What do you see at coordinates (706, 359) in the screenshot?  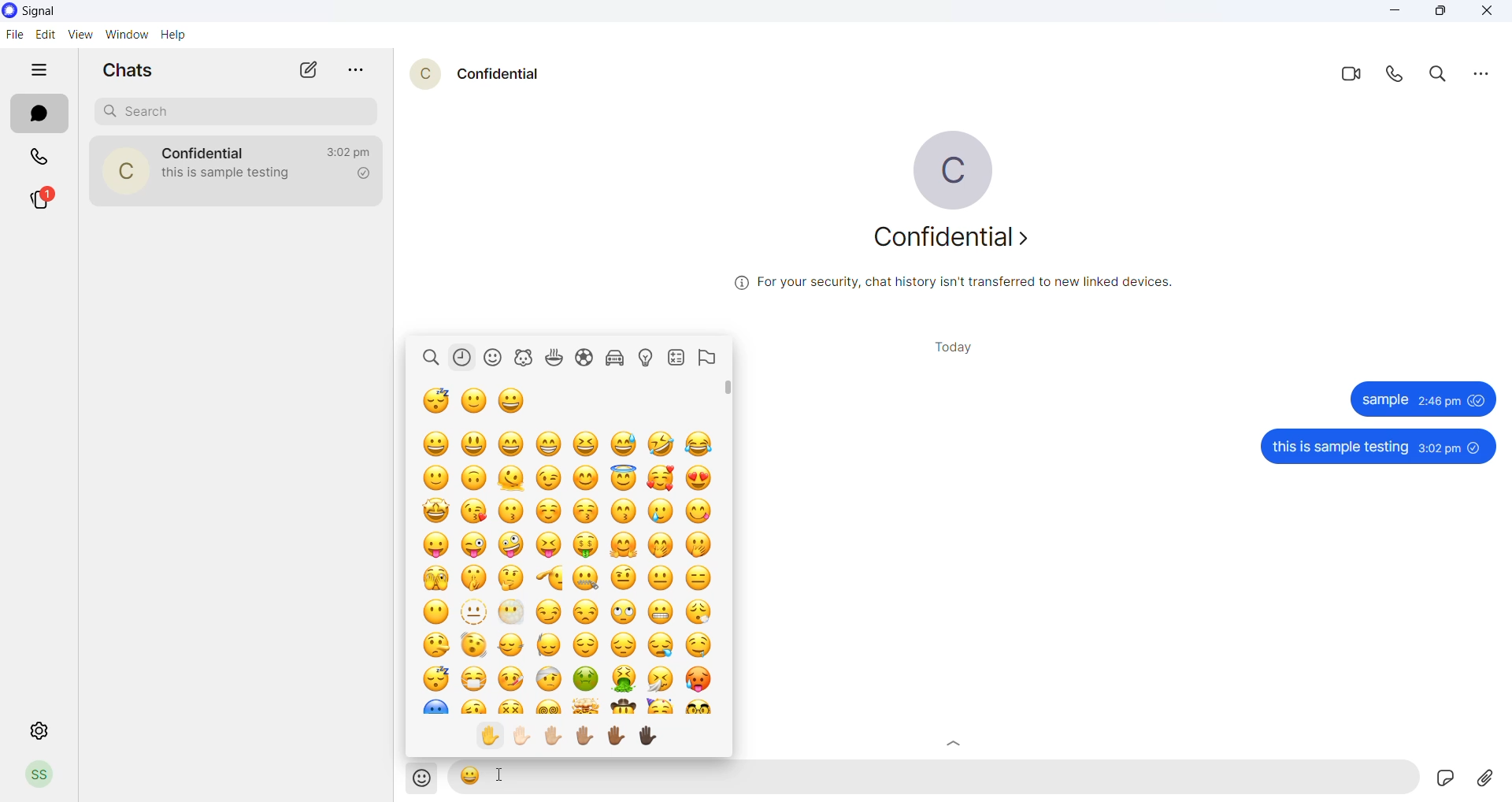 I see `flag emojis` at bounding box center [706, 359].